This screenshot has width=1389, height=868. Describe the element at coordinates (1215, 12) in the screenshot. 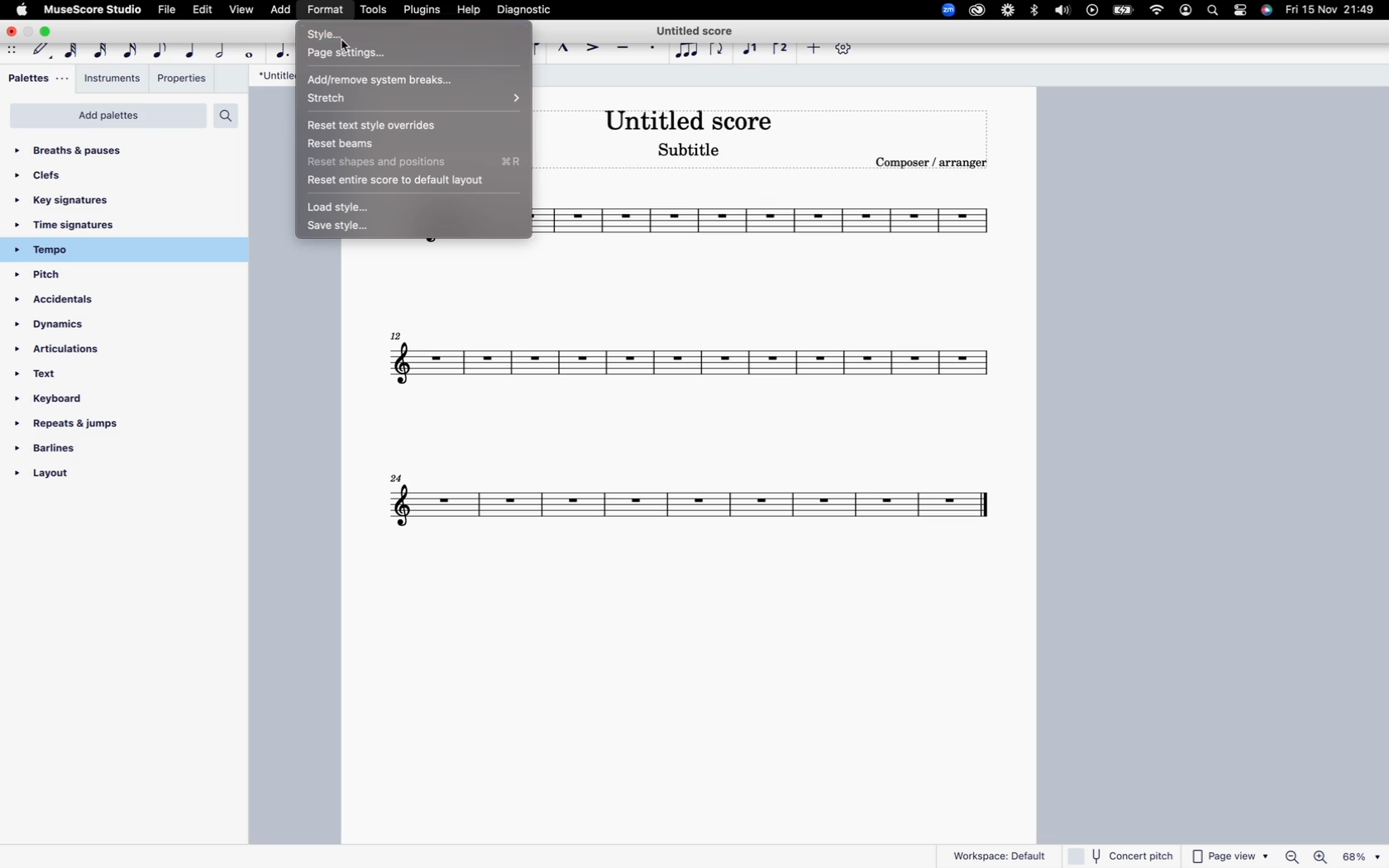

I see `search` at that location.